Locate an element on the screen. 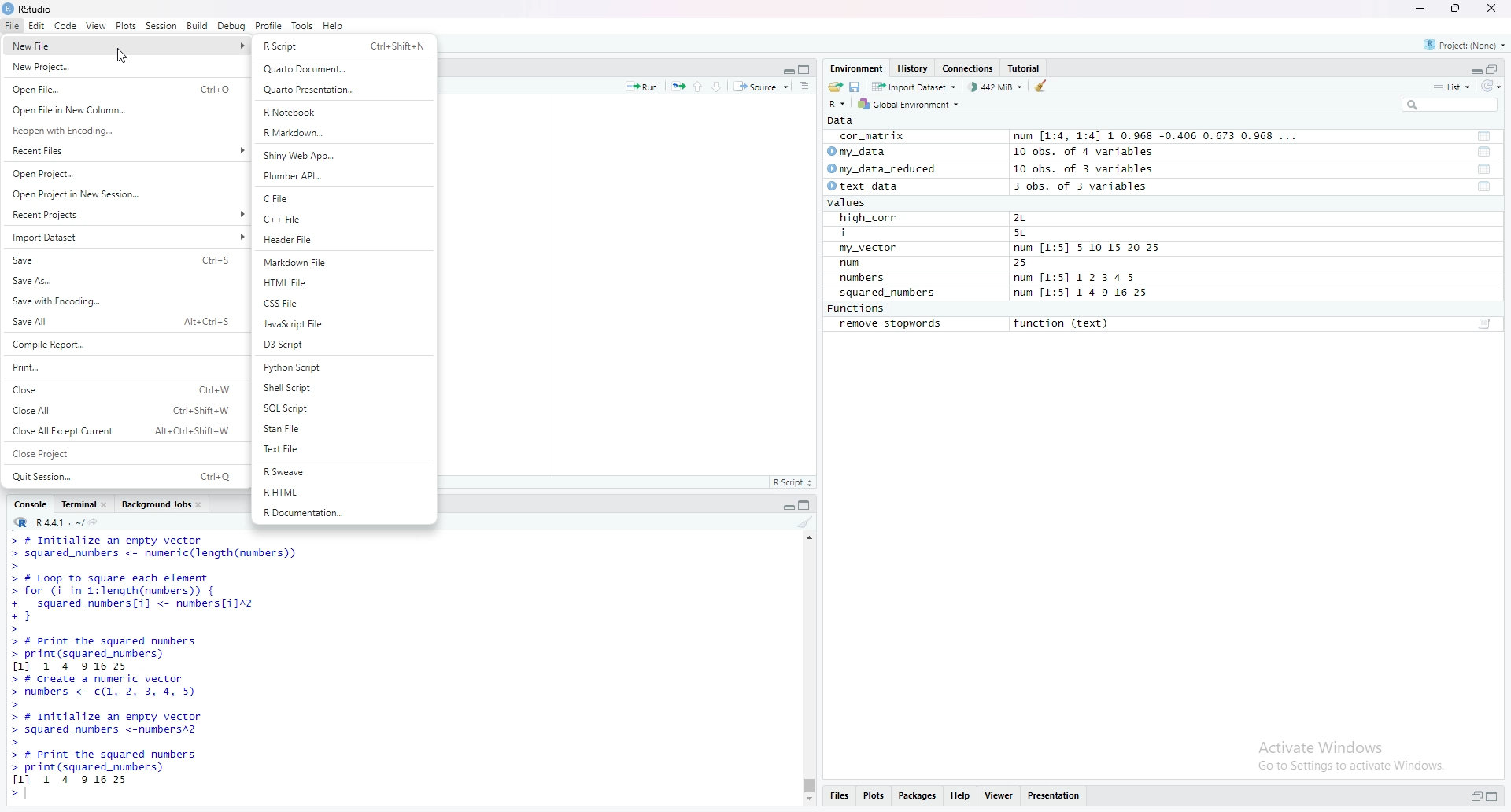  Debug is located at coordinates (231, 27).